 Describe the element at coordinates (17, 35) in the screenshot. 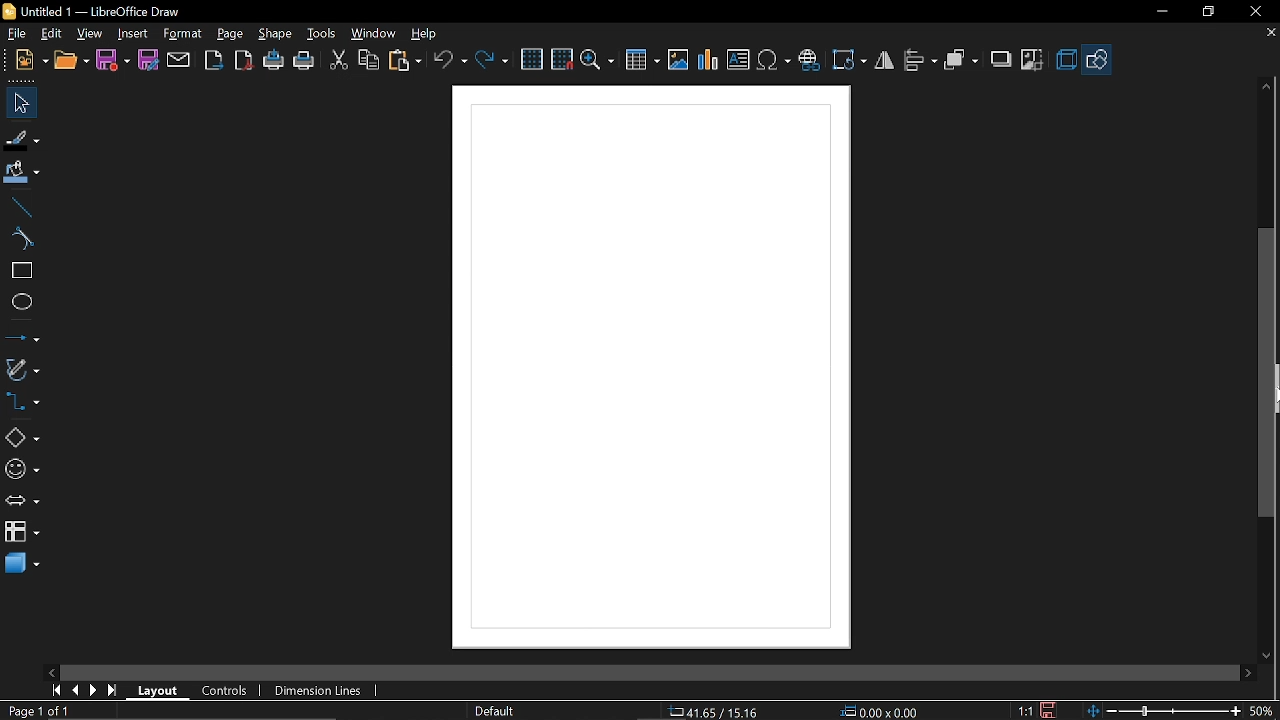

I see `File` at that location.